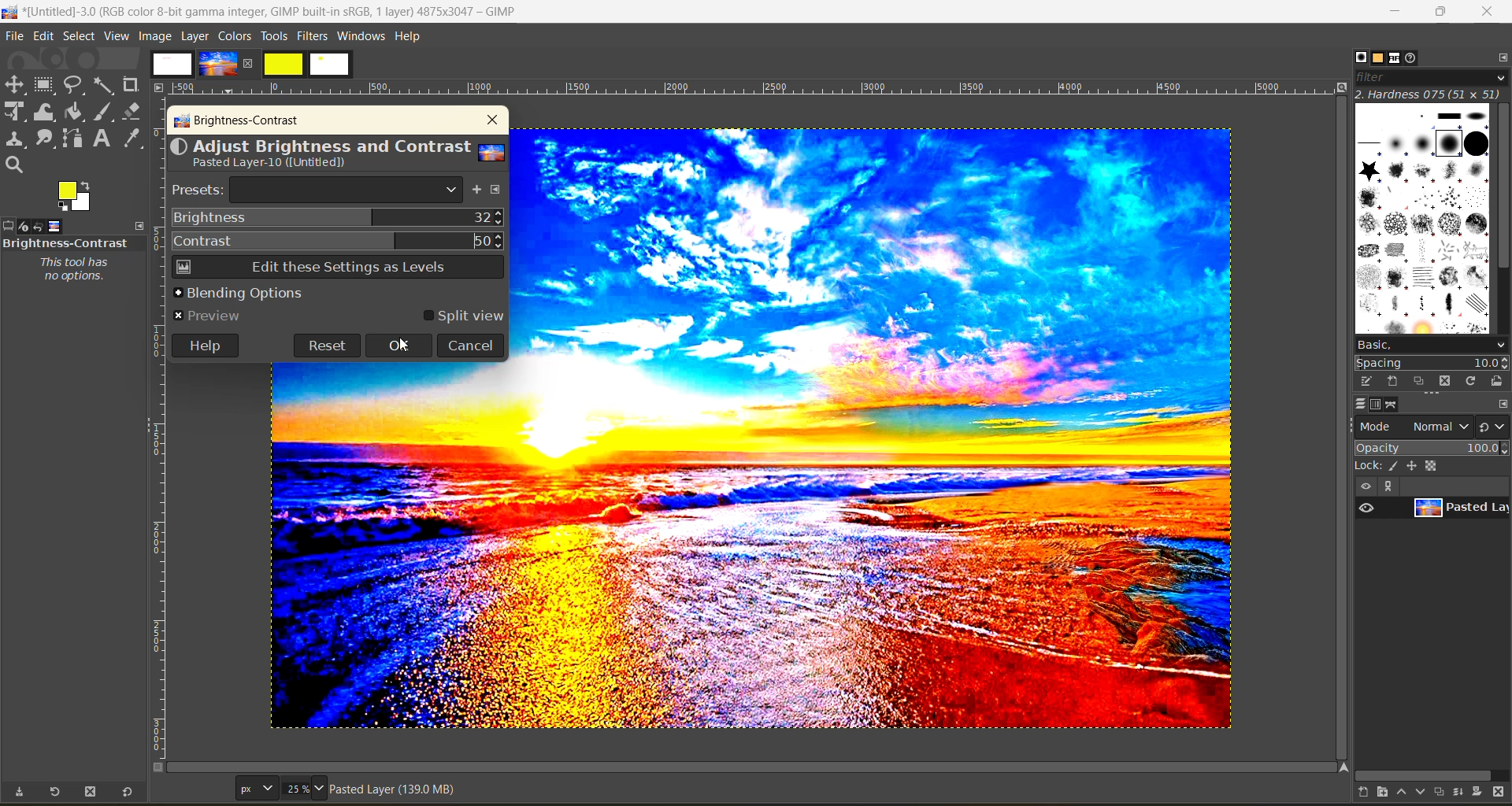 Image resolution: width=1512 pixels, height=806 pixels. I want to click on raise this layer, so click(1406, 794).